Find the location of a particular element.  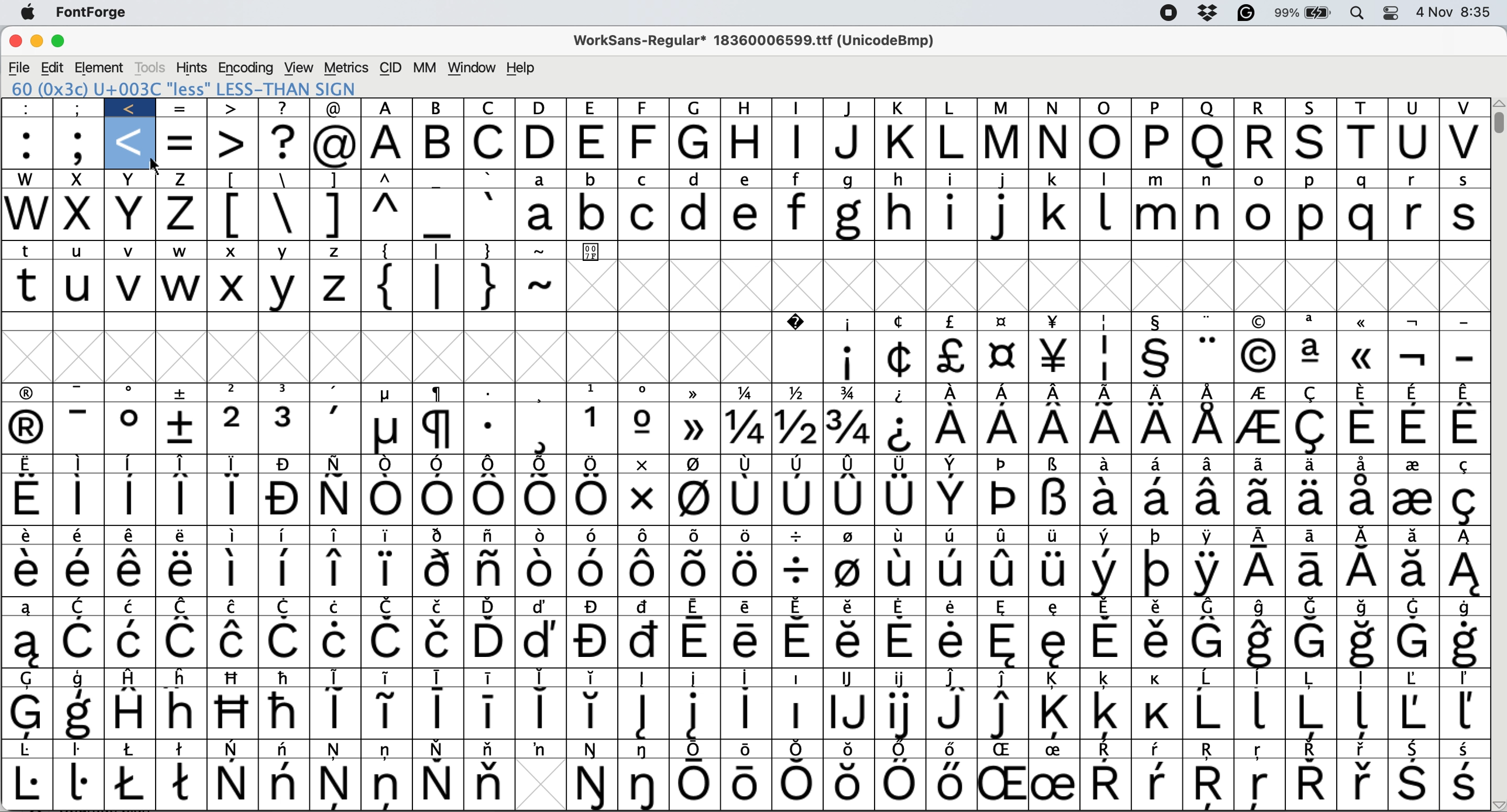

> is located at coordinates (233, 144).